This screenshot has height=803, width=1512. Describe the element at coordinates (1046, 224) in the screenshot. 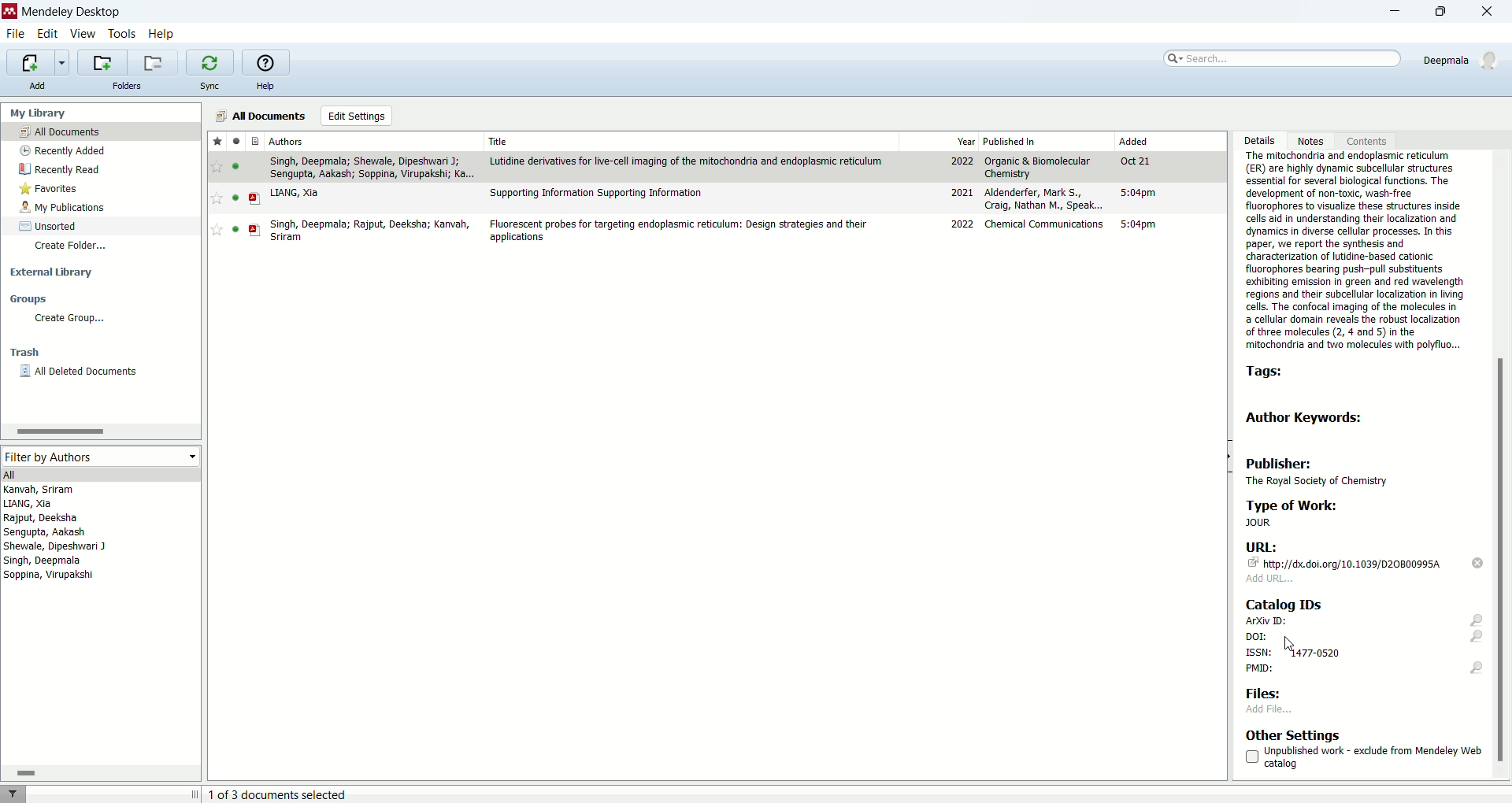

I see `chemical communications` at that location.